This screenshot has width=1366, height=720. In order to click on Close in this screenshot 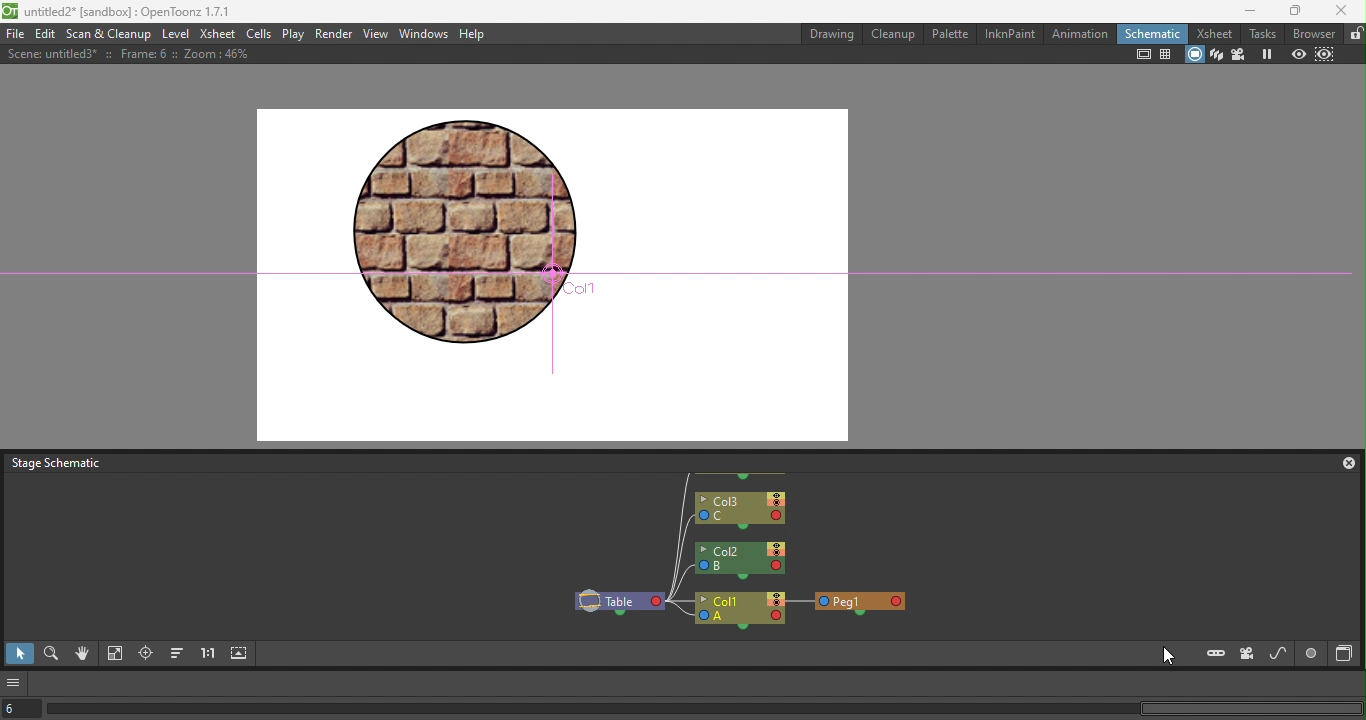, I will do `click(1342, 463)`.